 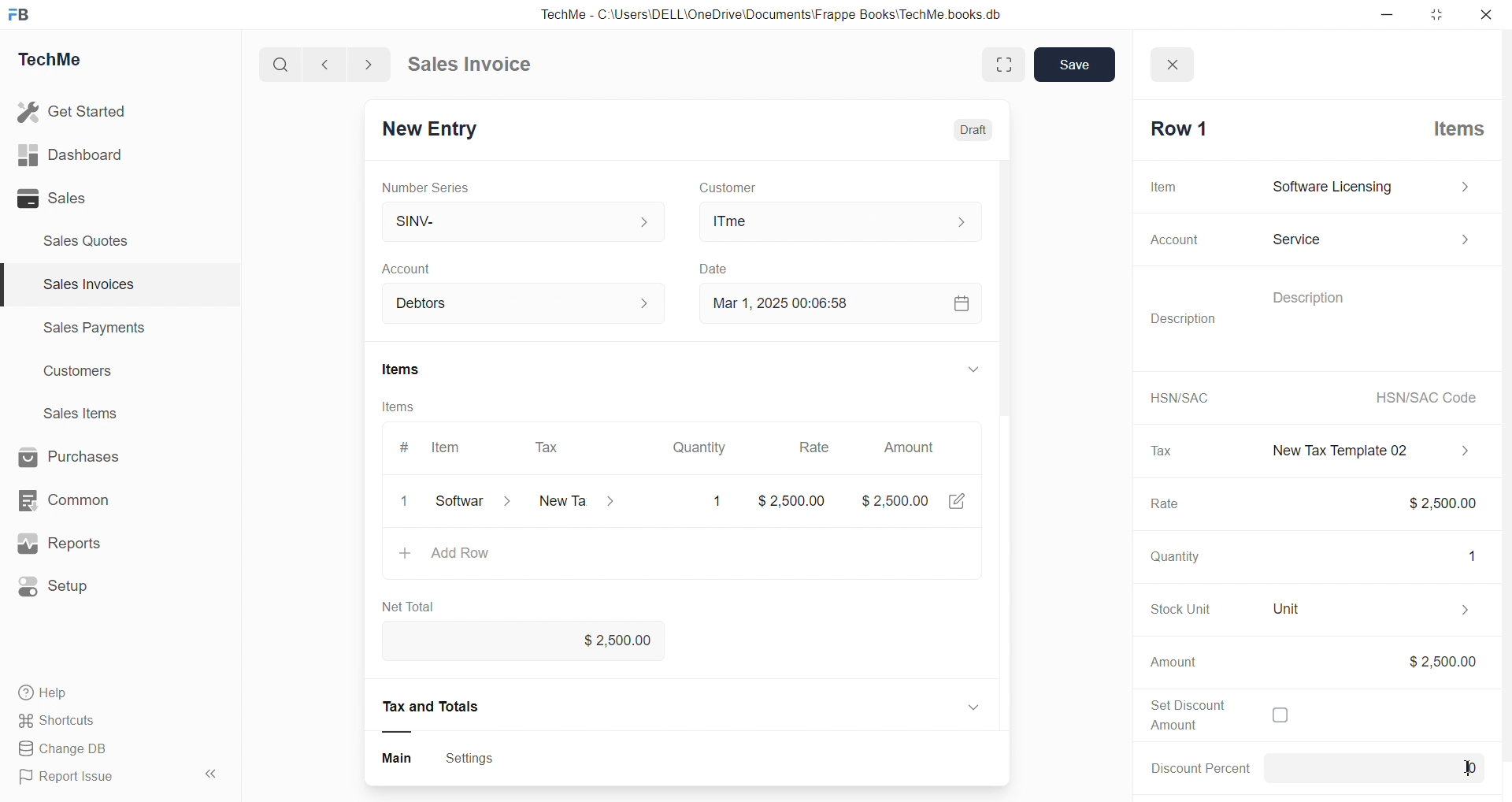 I want to click on SINV-, so click(x=513, y=218).